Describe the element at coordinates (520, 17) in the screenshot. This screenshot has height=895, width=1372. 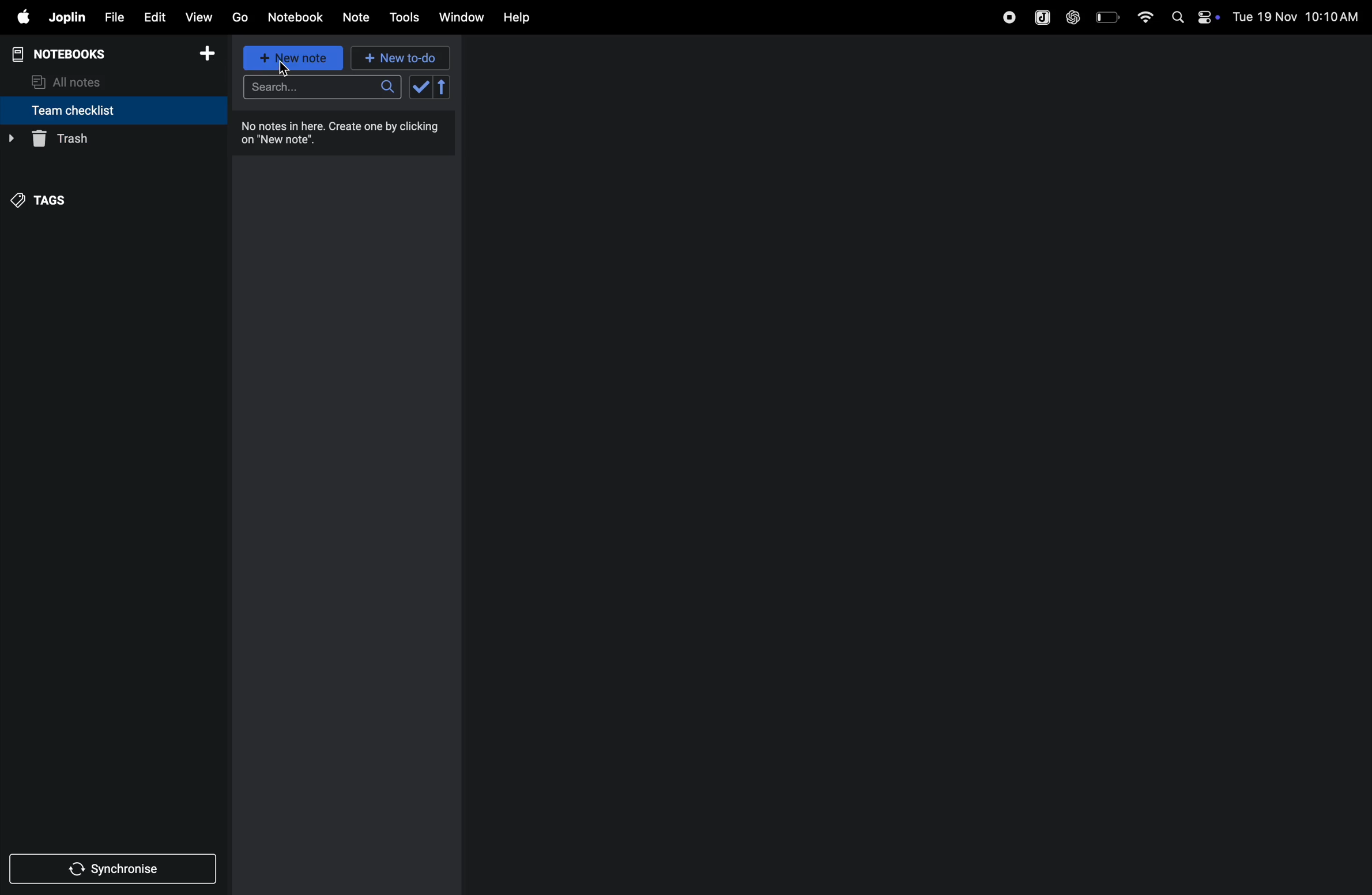
I see `help` at that location.